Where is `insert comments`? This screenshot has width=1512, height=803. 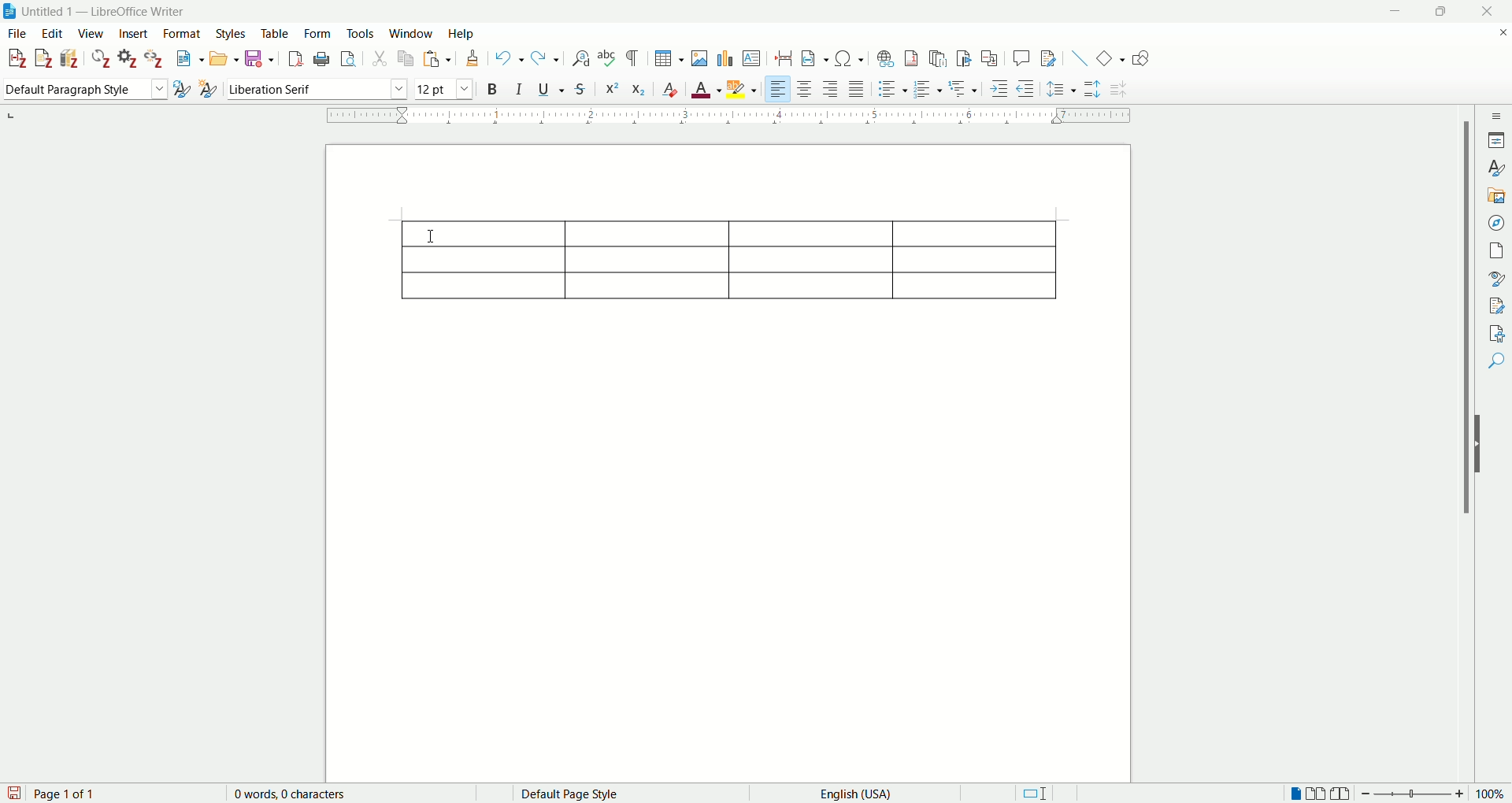
insert comments is located at coordinates (1024, 58).